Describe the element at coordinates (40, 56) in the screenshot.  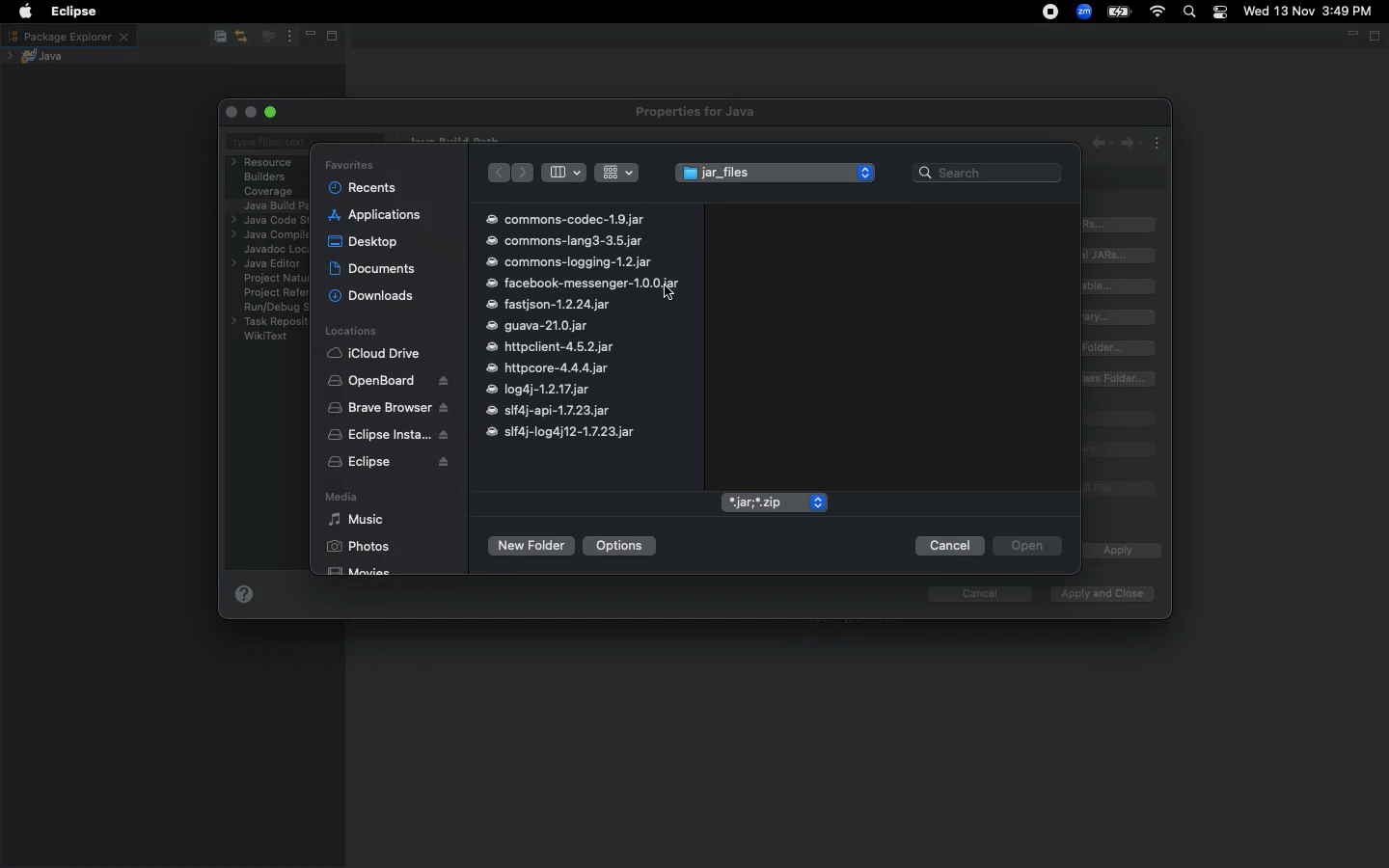
I see `Java project` at that location.